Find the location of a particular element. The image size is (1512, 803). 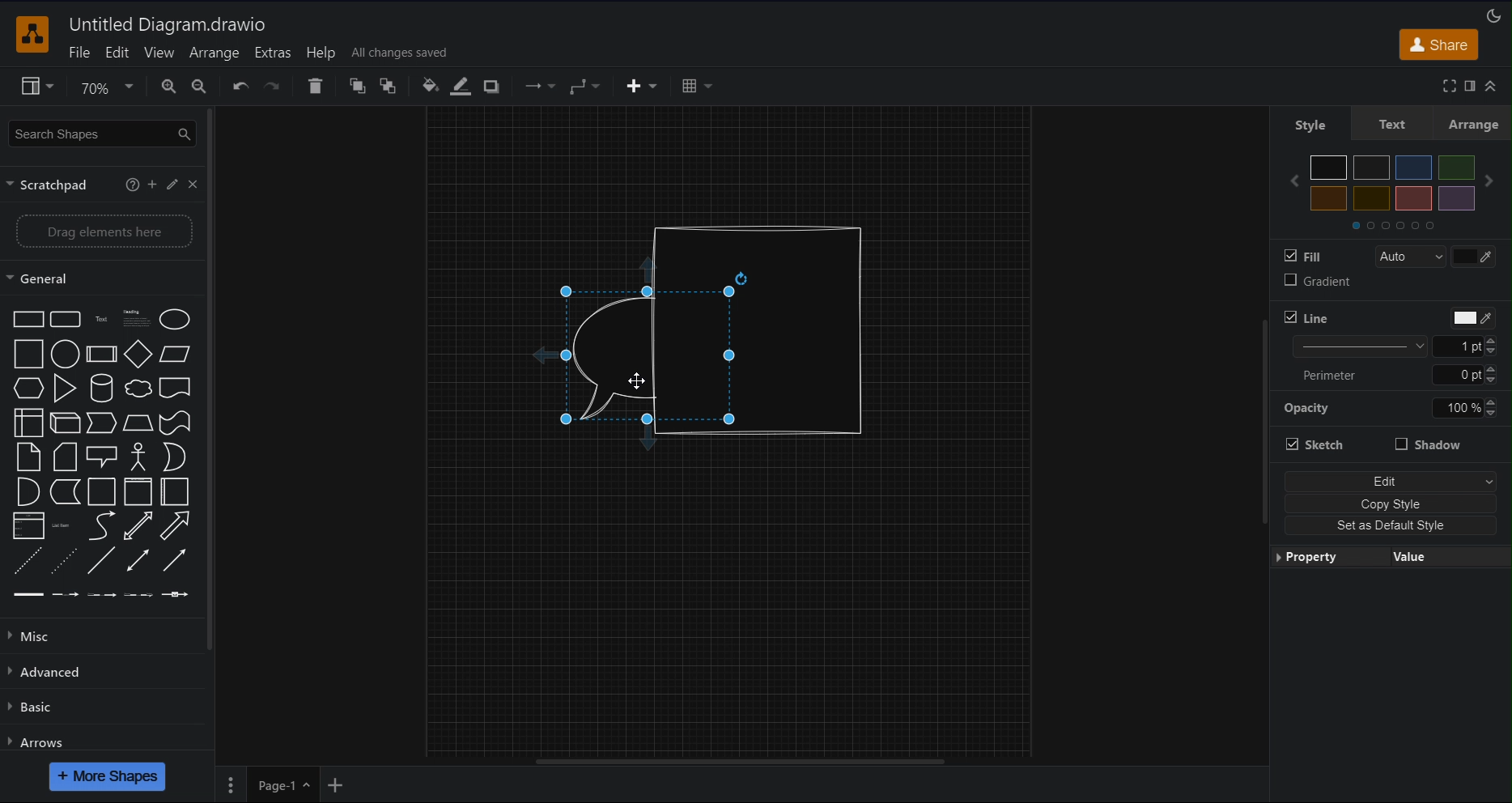

Trapezoid is located at coordinates (138, 423).